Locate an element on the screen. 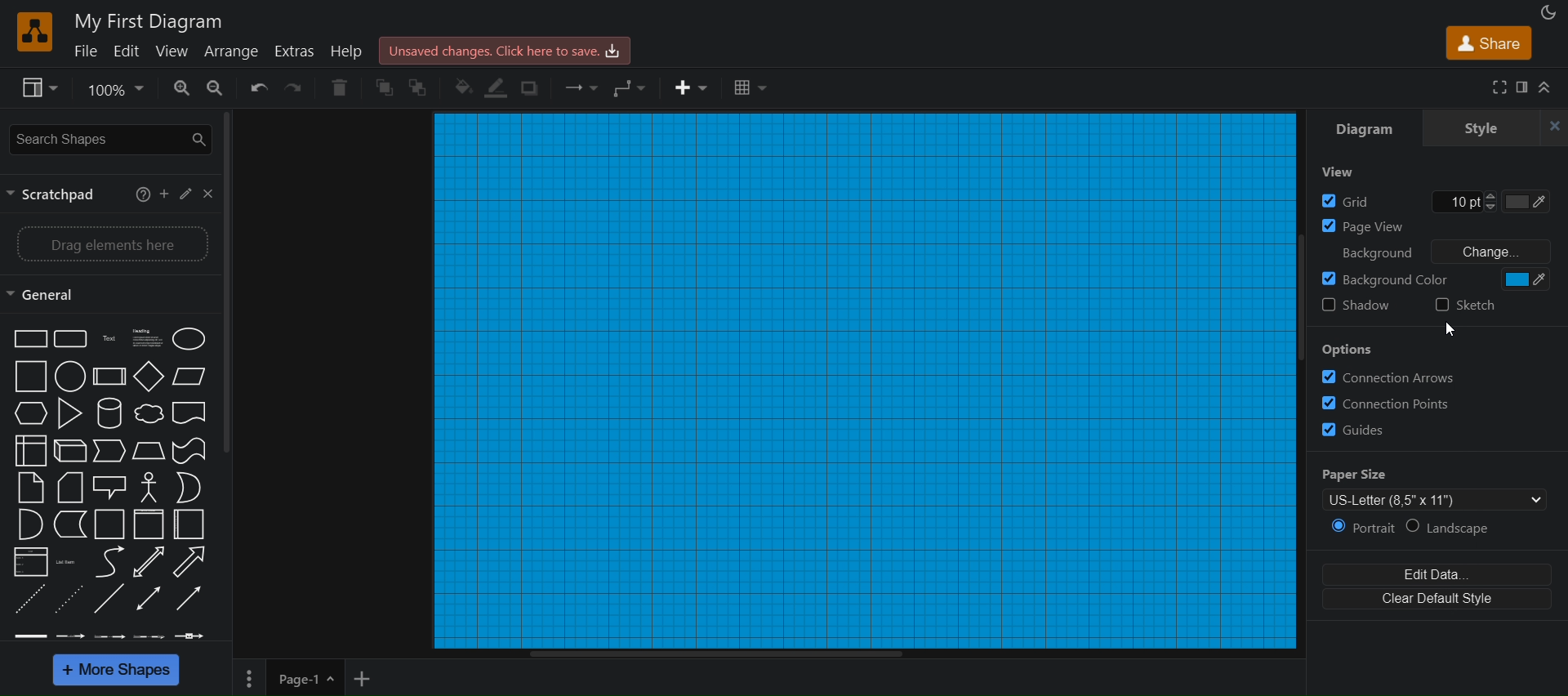  fullscreen is located at coordinates (1498, 87).